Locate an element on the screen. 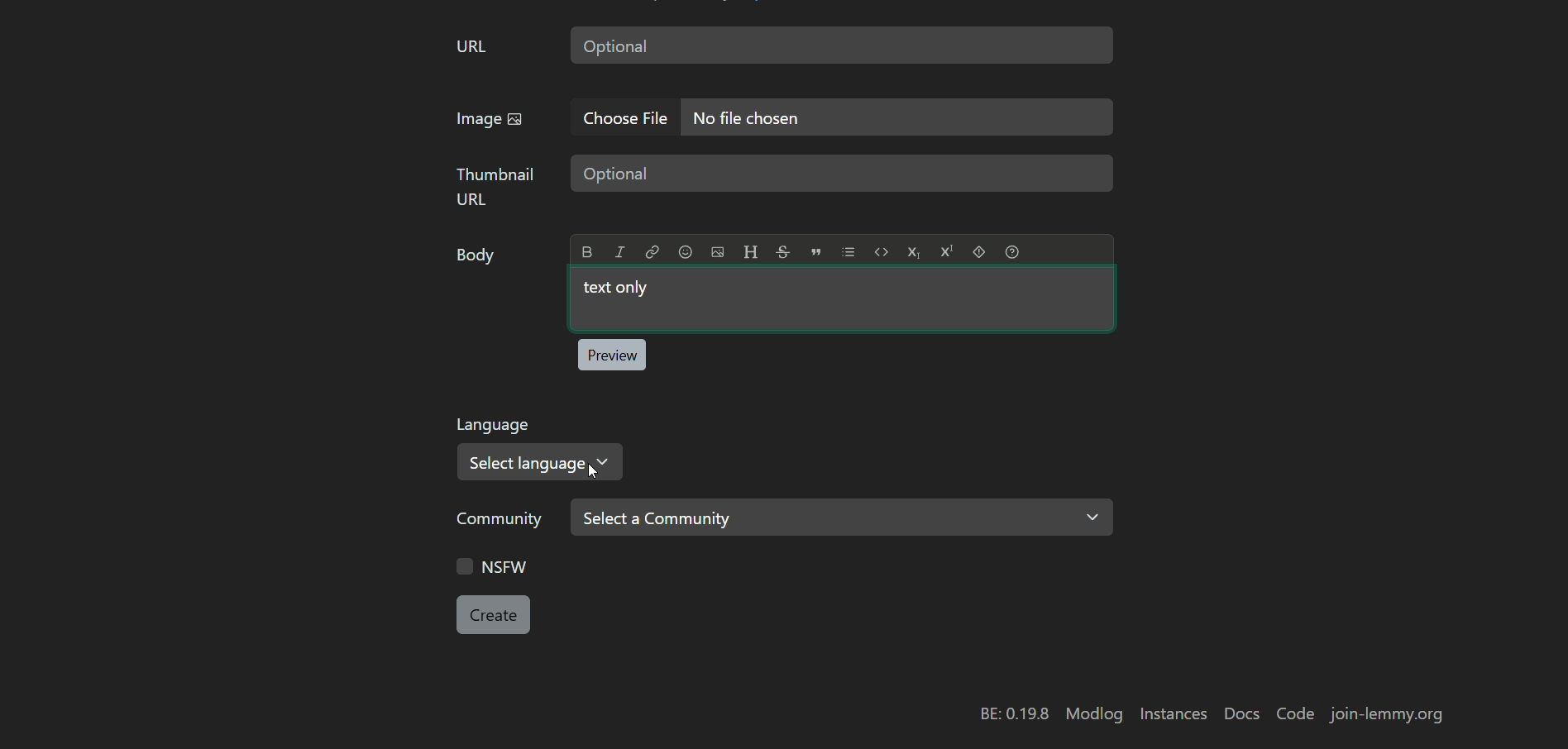 The height and width of the screenshot is (749, 1568). NSFW is located at coordinates (492, 565).